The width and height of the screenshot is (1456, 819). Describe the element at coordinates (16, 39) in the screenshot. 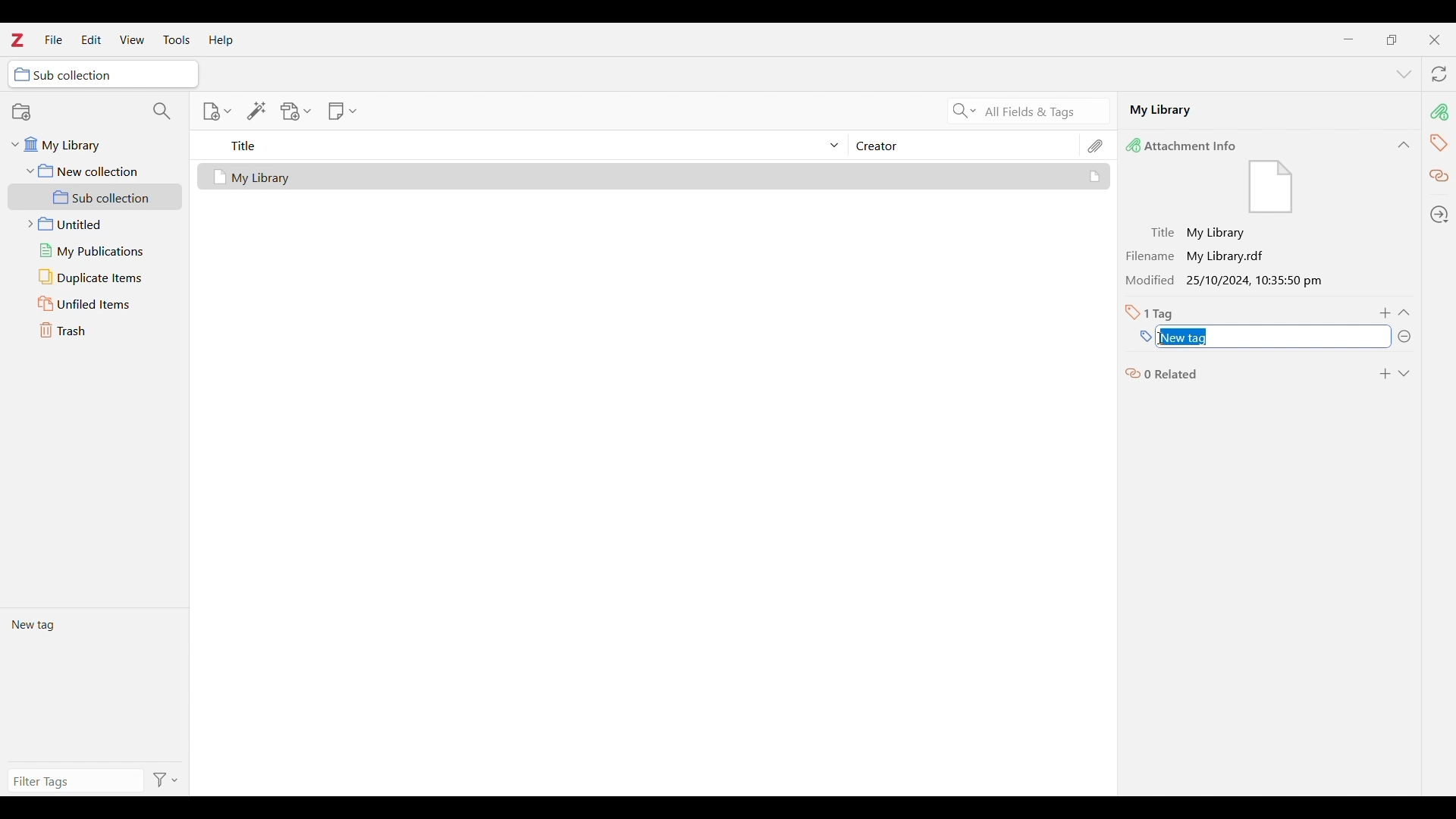

I see `Software logo` at that location.